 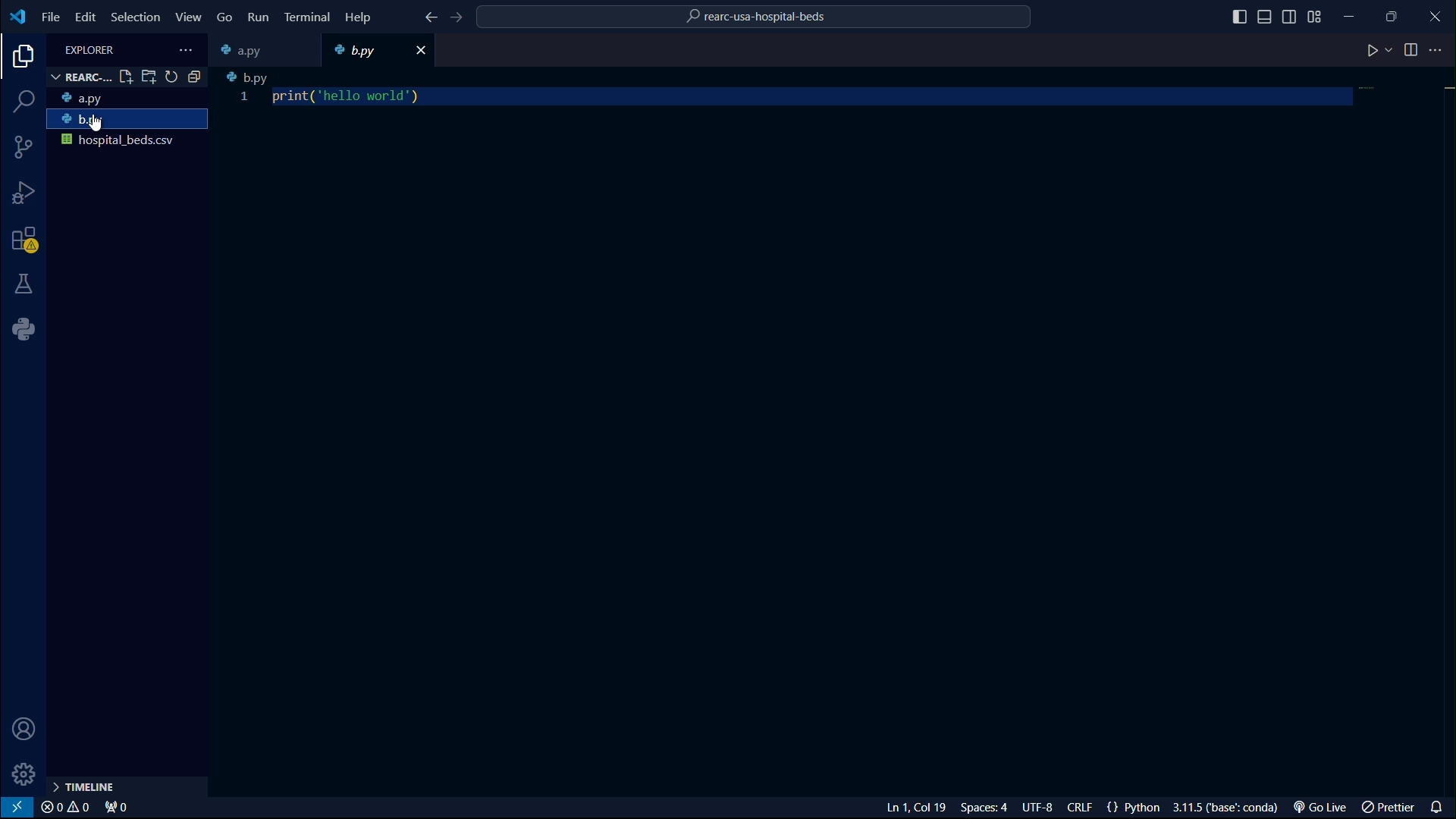 I want to click on toggle primary sidebar, so click(x=1235, y=15).